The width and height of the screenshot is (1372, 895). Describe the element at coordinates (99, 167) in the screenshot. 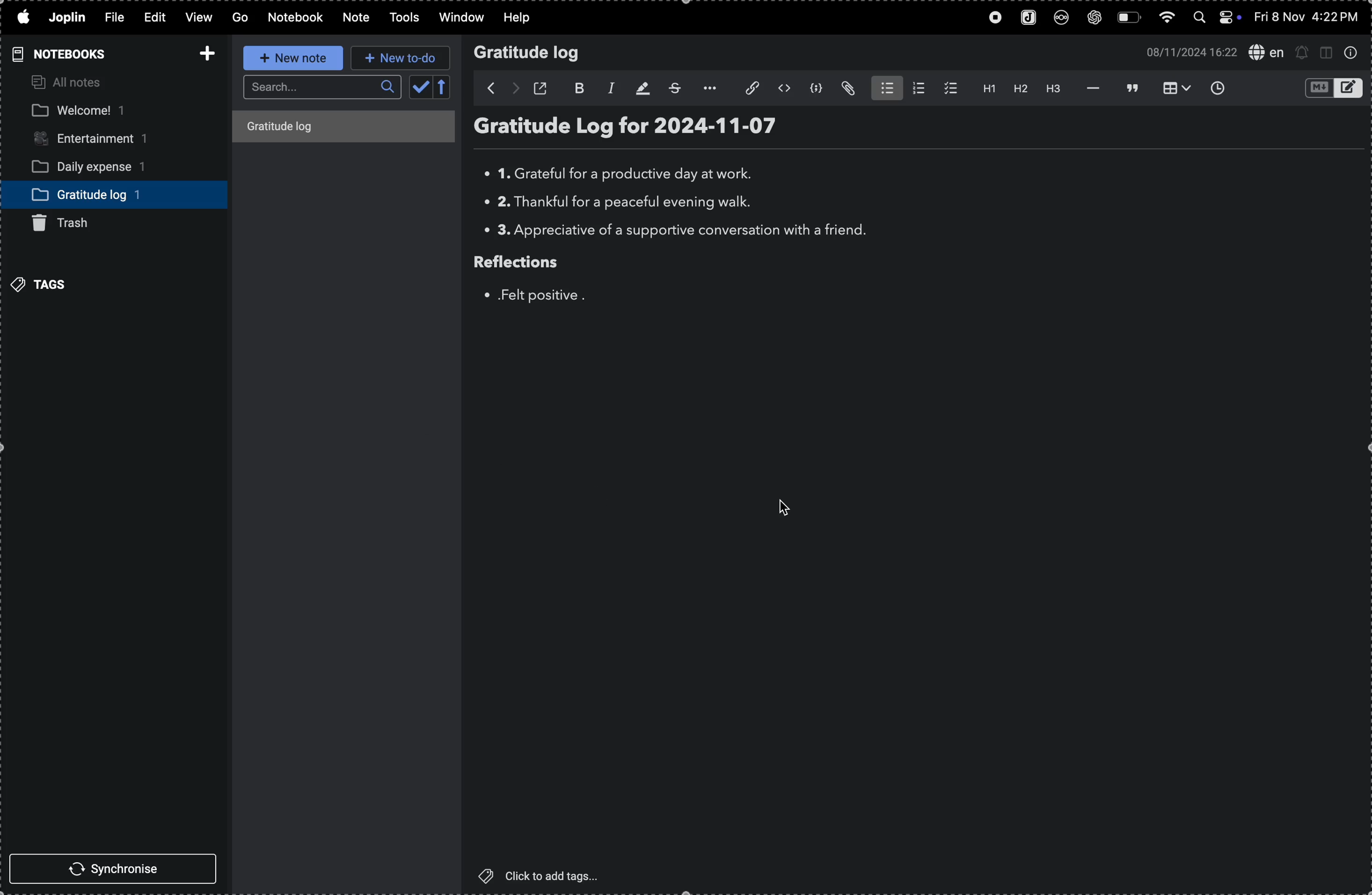

I see `daily expense` at that location.